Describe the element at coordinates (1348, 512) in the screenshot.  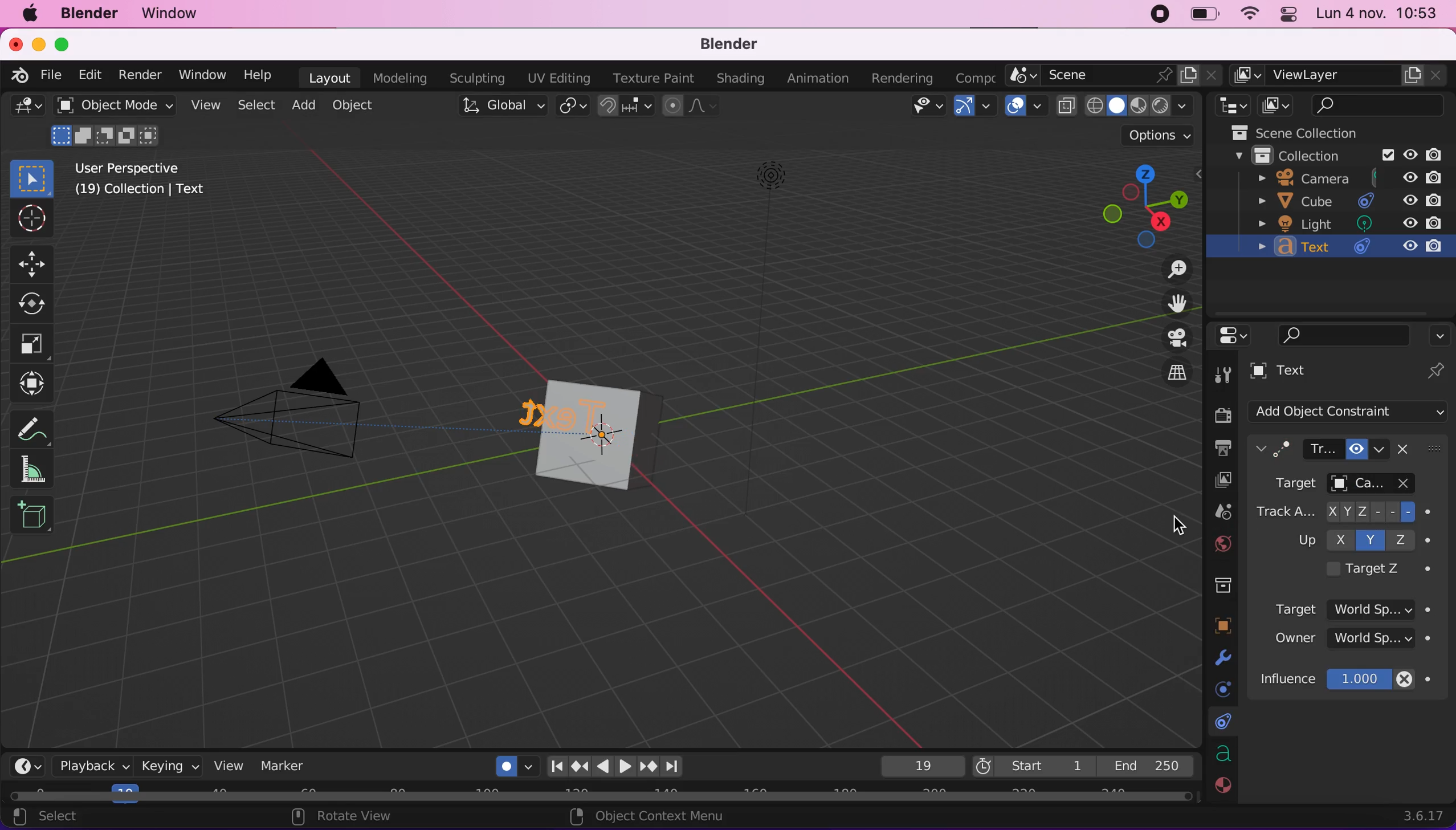
I see `track xyz` at that location.